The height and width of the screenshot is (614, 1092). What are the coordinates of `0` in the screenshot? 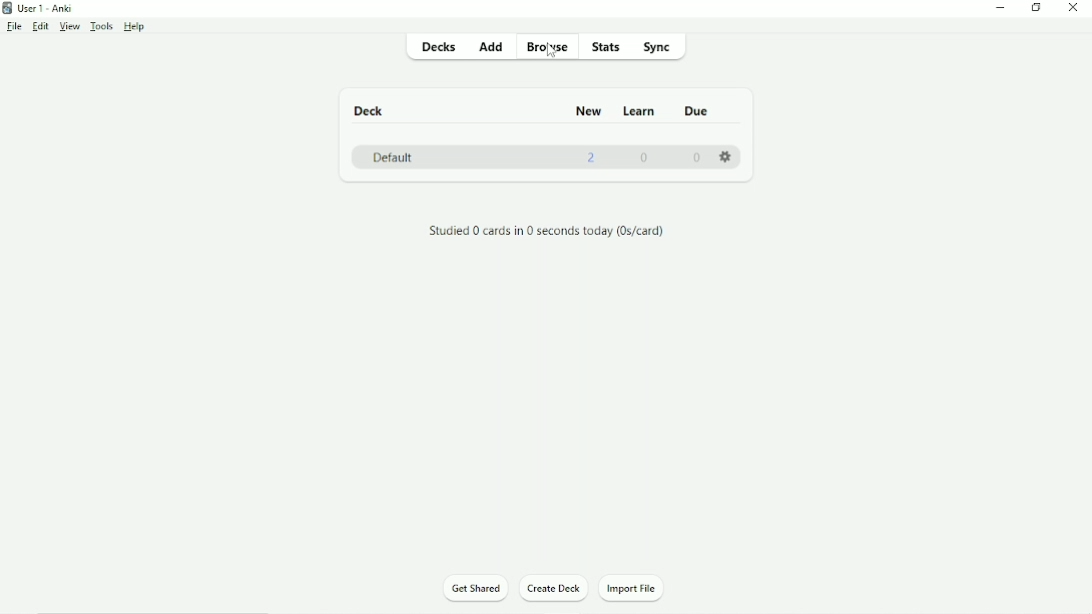 It's located at (643, 158).